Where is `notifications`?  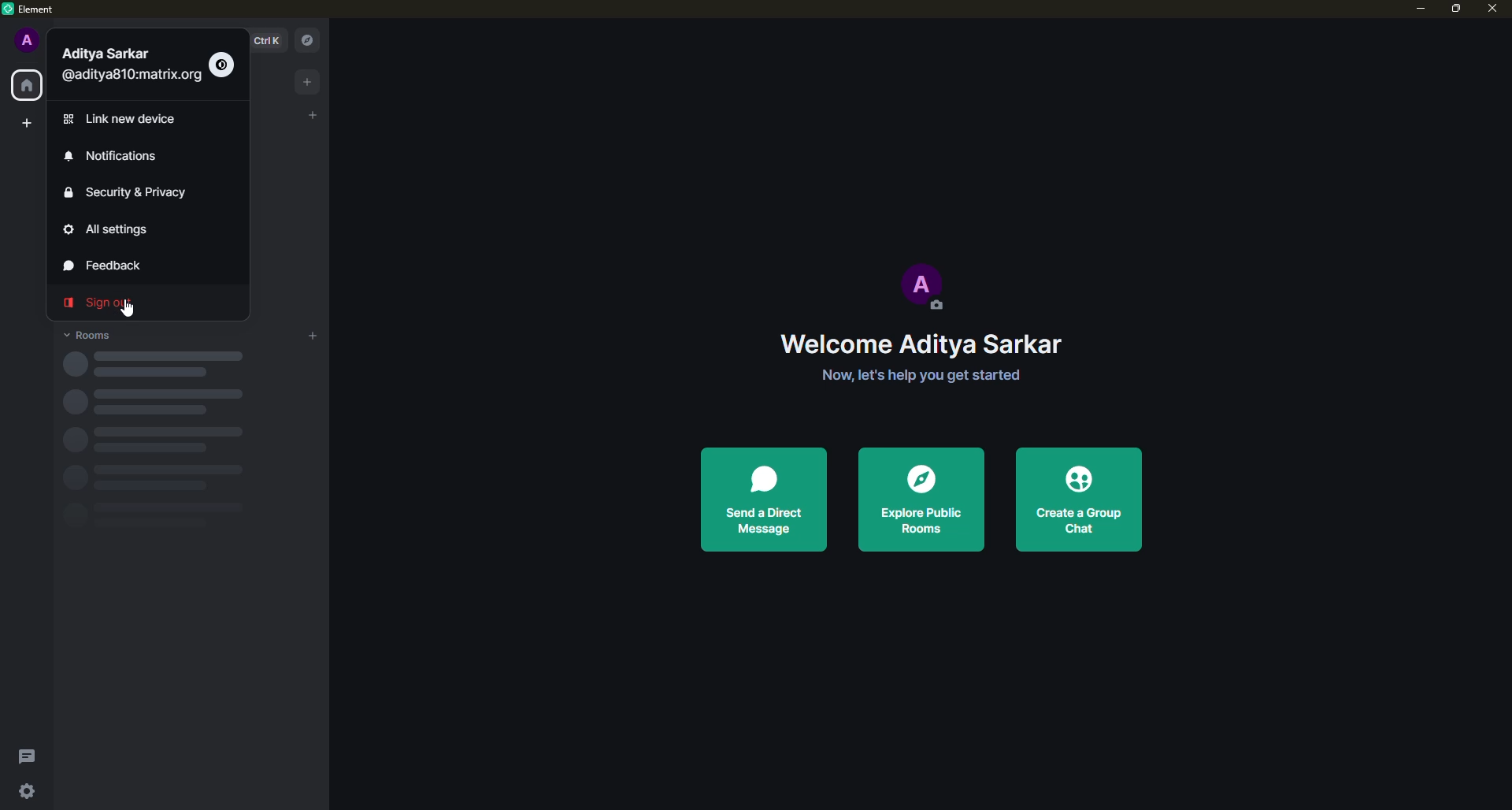 notifications is located at coordinates (111, 158).